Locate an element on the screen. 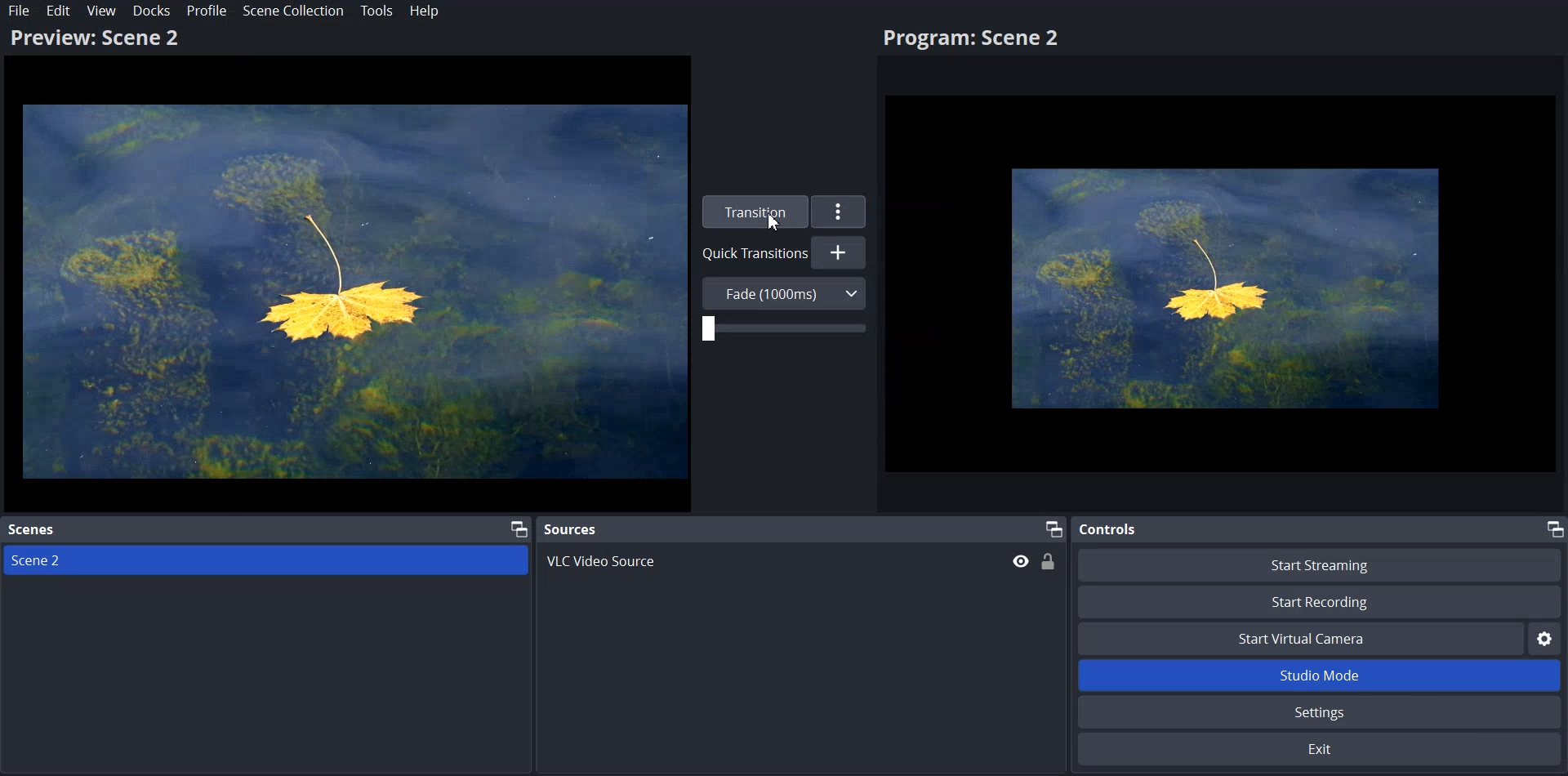  Maximize is located at coordinates (1054, 528).